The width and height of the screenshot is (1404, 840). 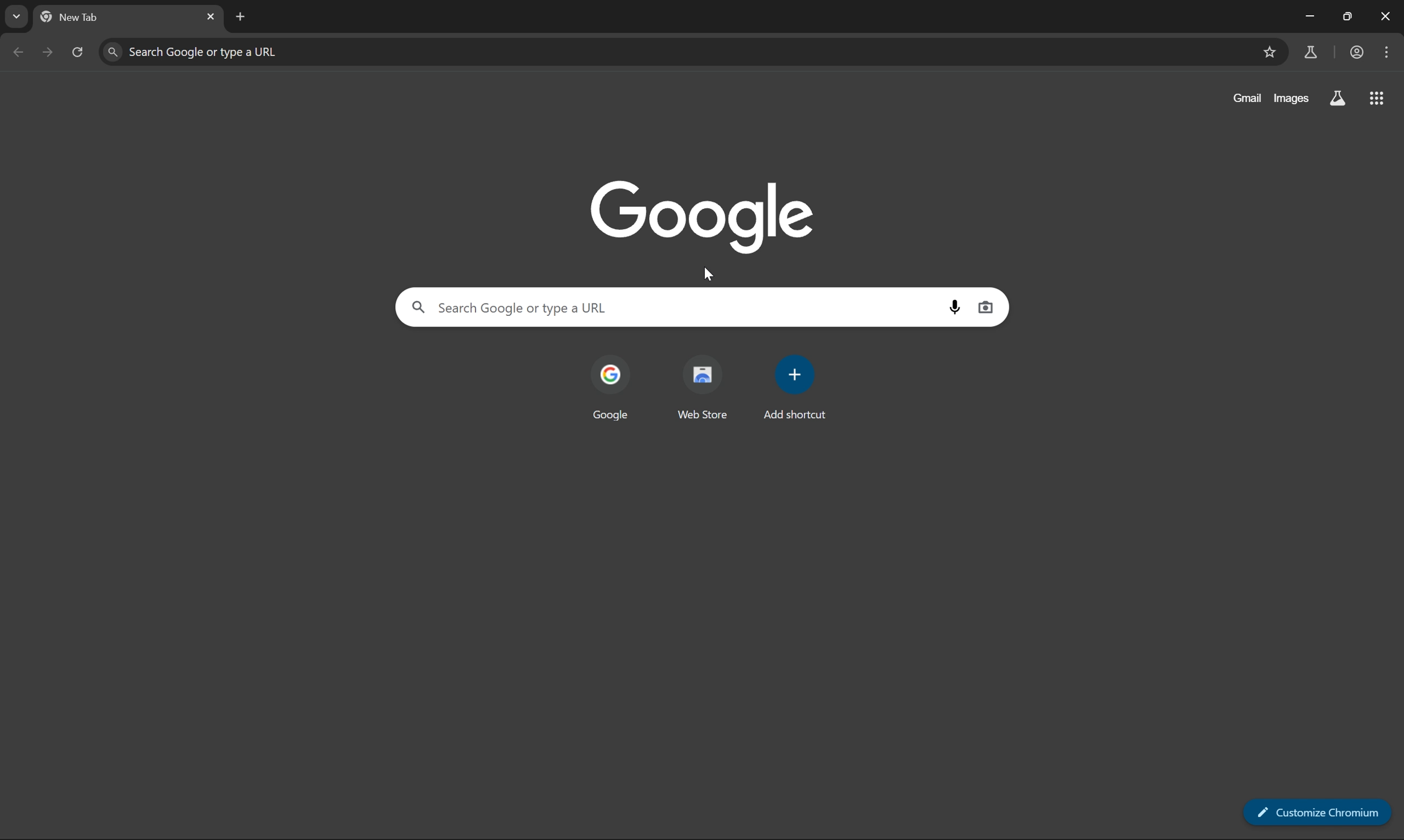 What do you see at coordinates (957, 306) in the screenshot?
I see `search by voice` at bounding box center [957, 306].